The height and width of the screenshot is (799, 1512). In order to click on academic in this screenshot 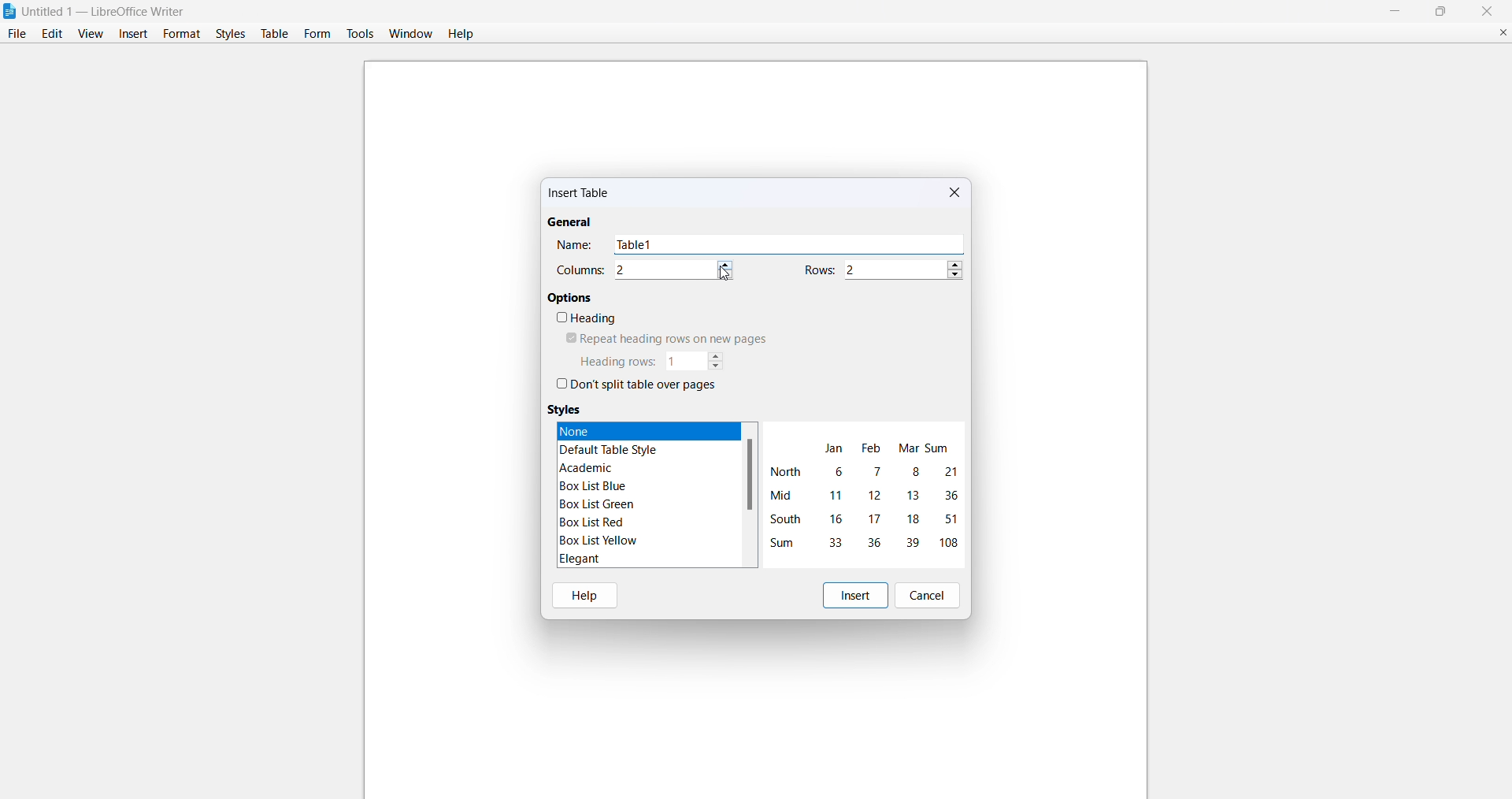, I will do `click(590, 467)`.